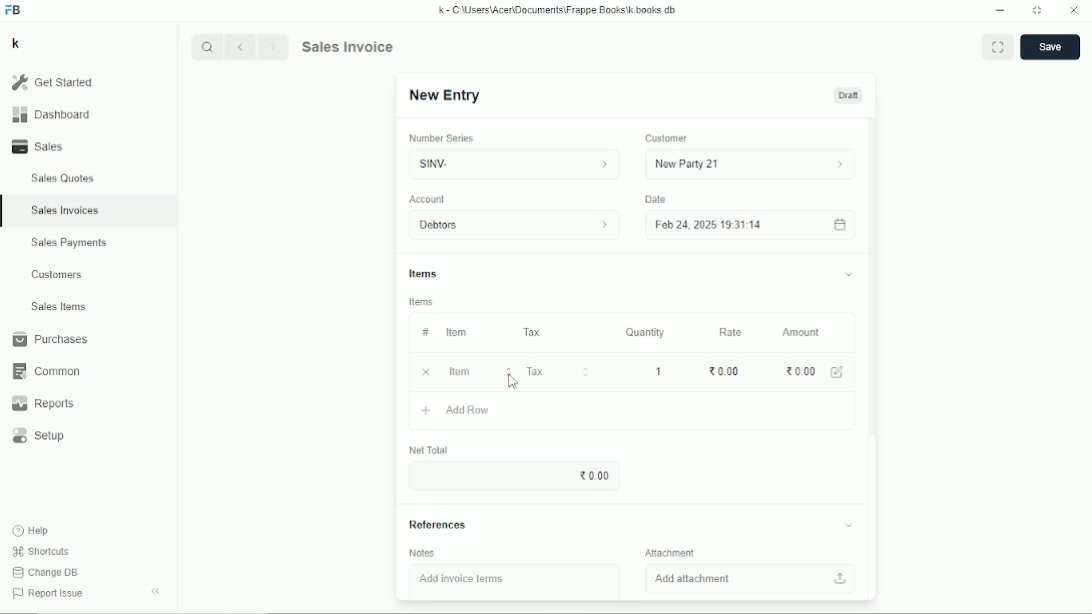  Describe the element at coordinates (49, 339) in the screenshot. I see `Purchases` at that location.